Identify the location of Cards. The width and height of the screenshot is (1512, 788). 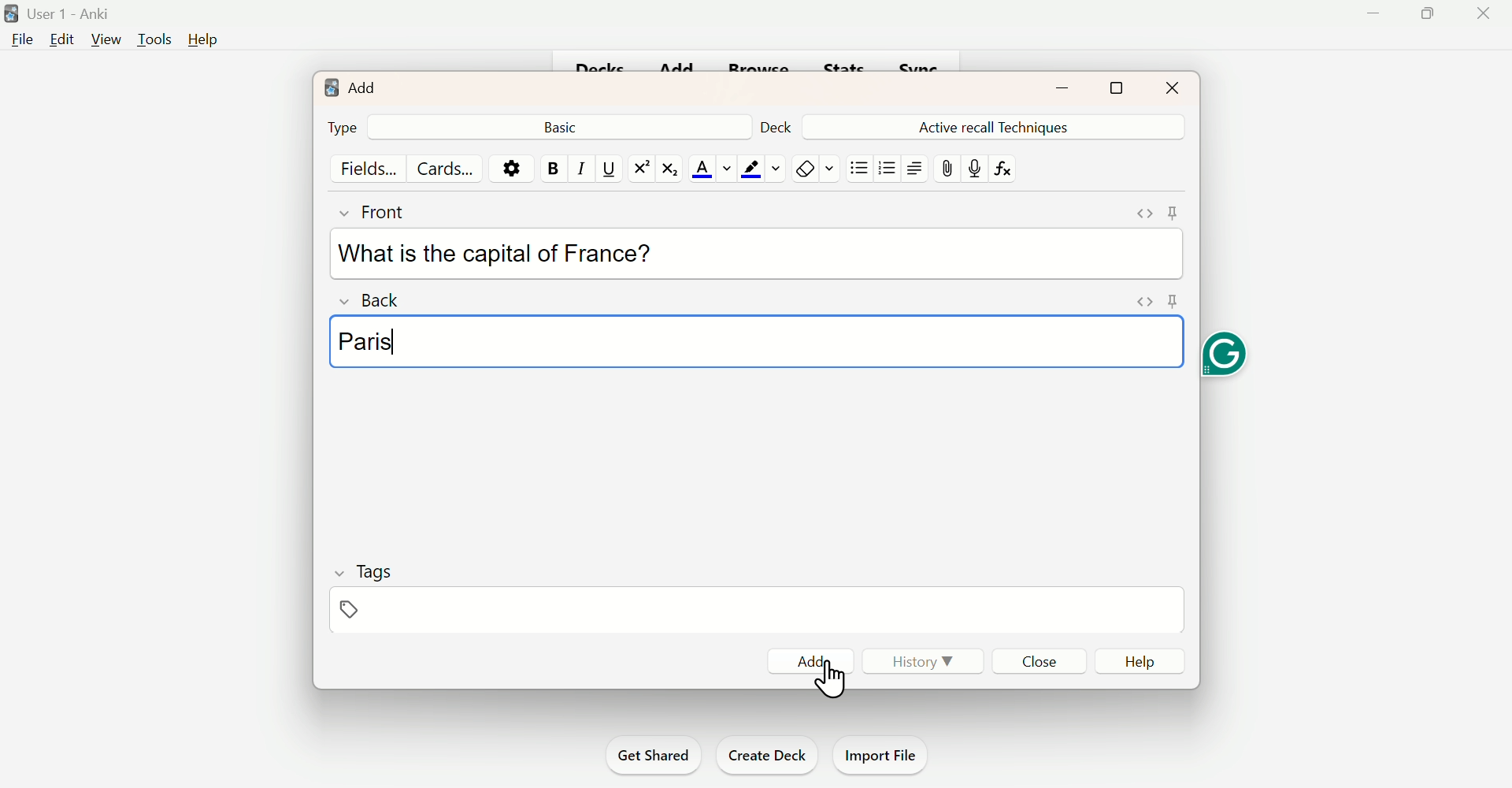
(449, 168).